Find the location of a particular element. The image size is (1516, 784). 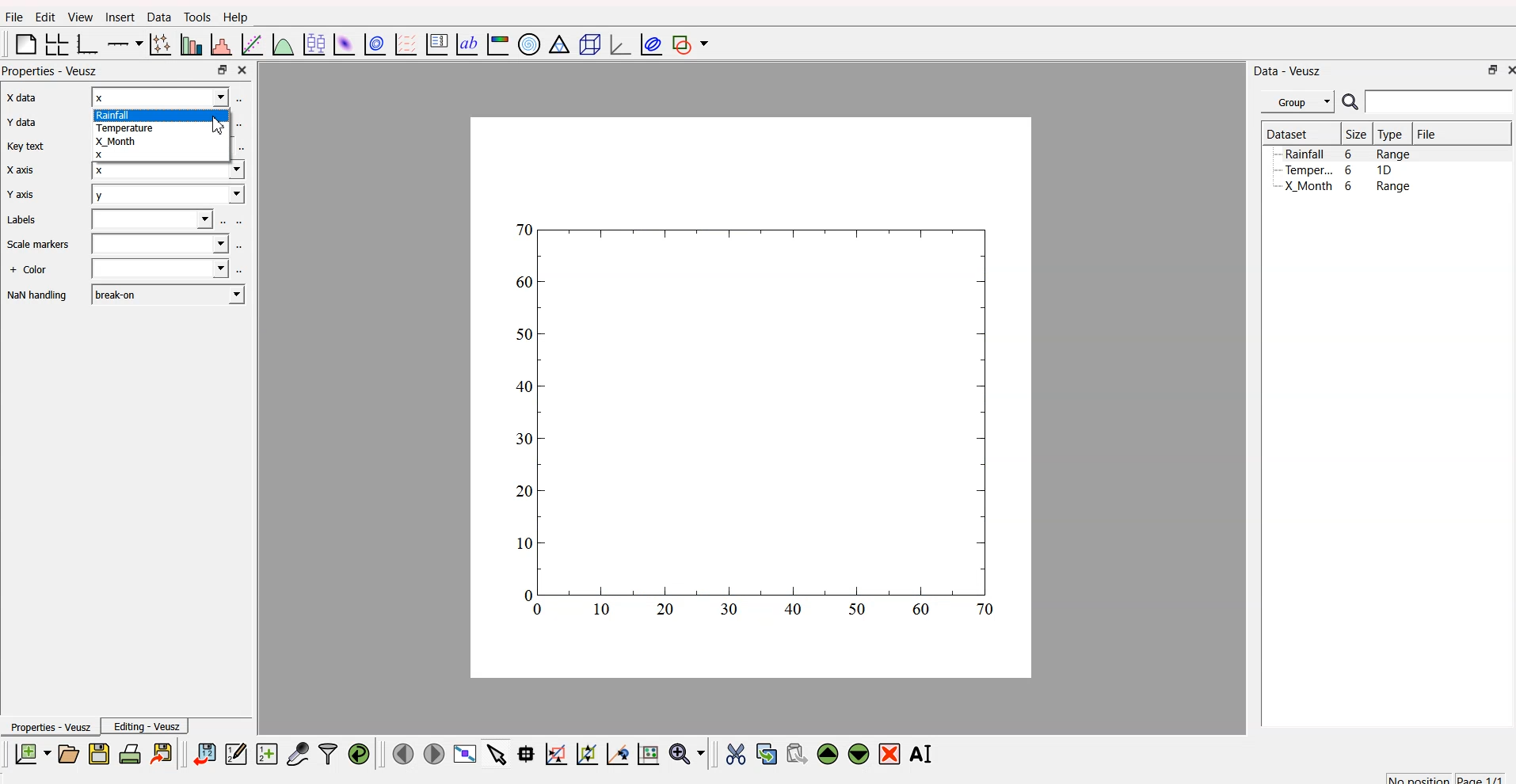

blank page is located at coordinates (22, 47).